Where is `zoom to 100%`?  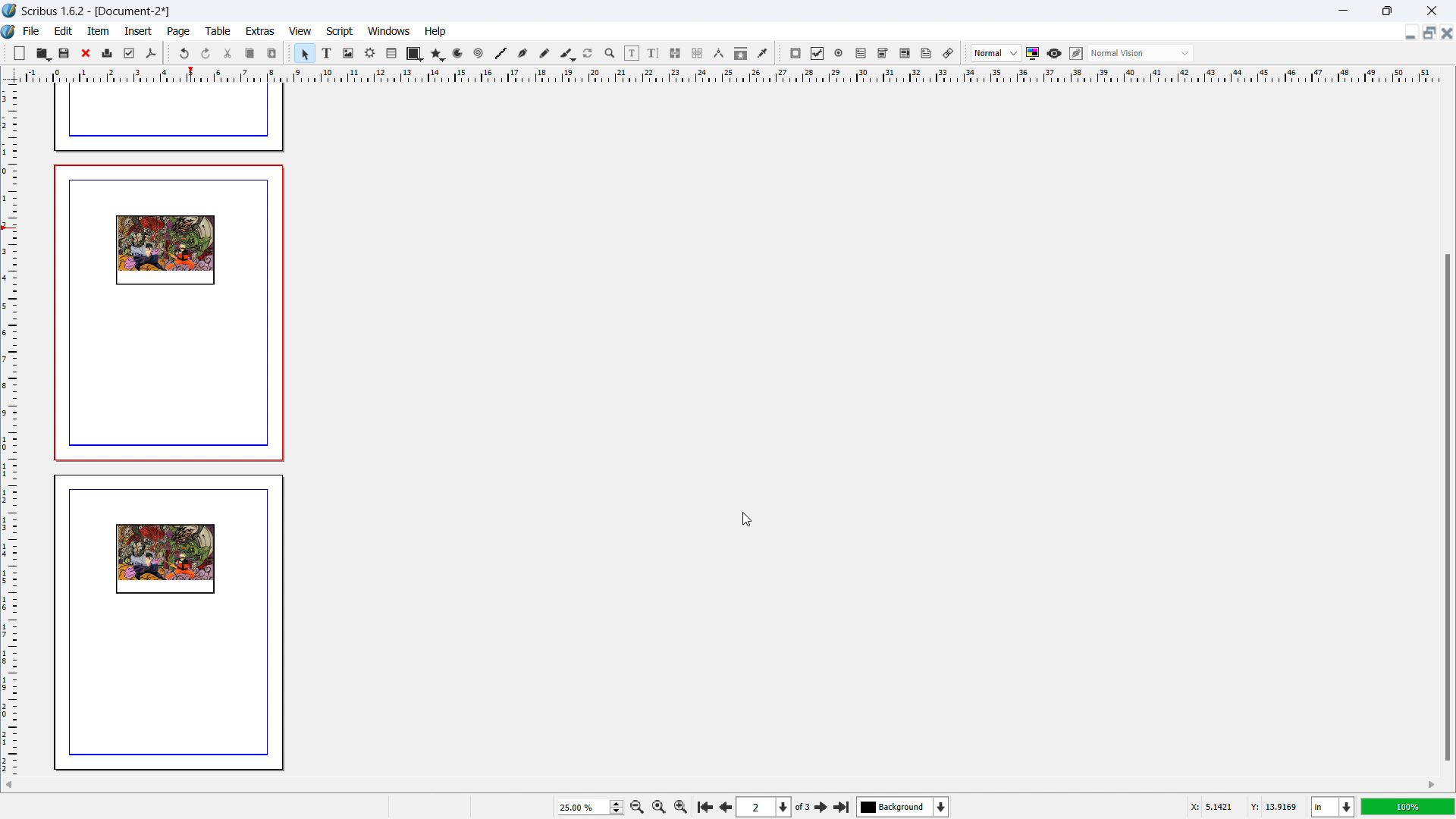 zoom to 100% is located at coordinates (658, 805).